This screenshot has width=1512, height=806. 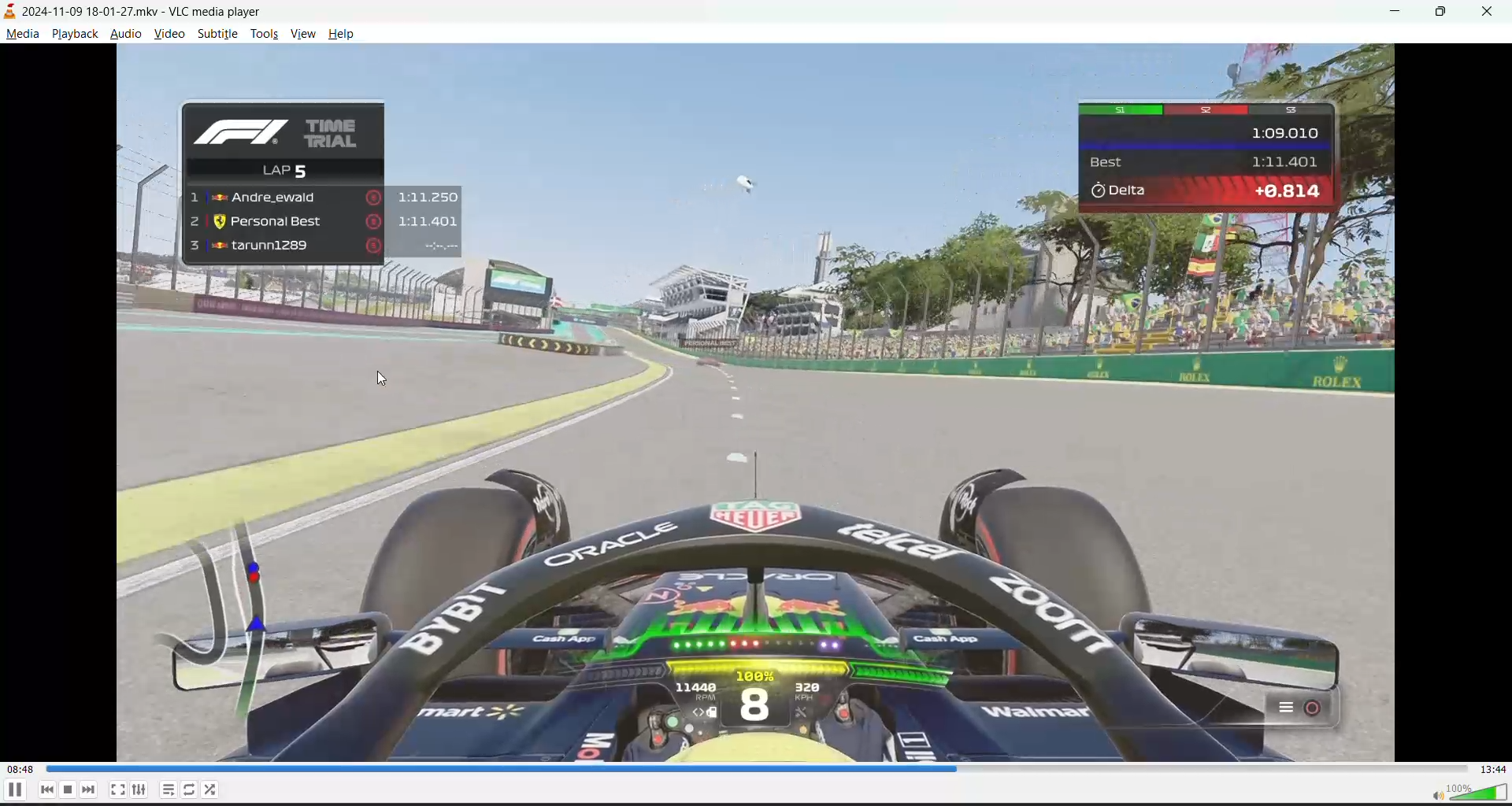 What do you see at coordinates (754, 398) in the screenshot?
I see `preview` at bounding box center [754, 398].